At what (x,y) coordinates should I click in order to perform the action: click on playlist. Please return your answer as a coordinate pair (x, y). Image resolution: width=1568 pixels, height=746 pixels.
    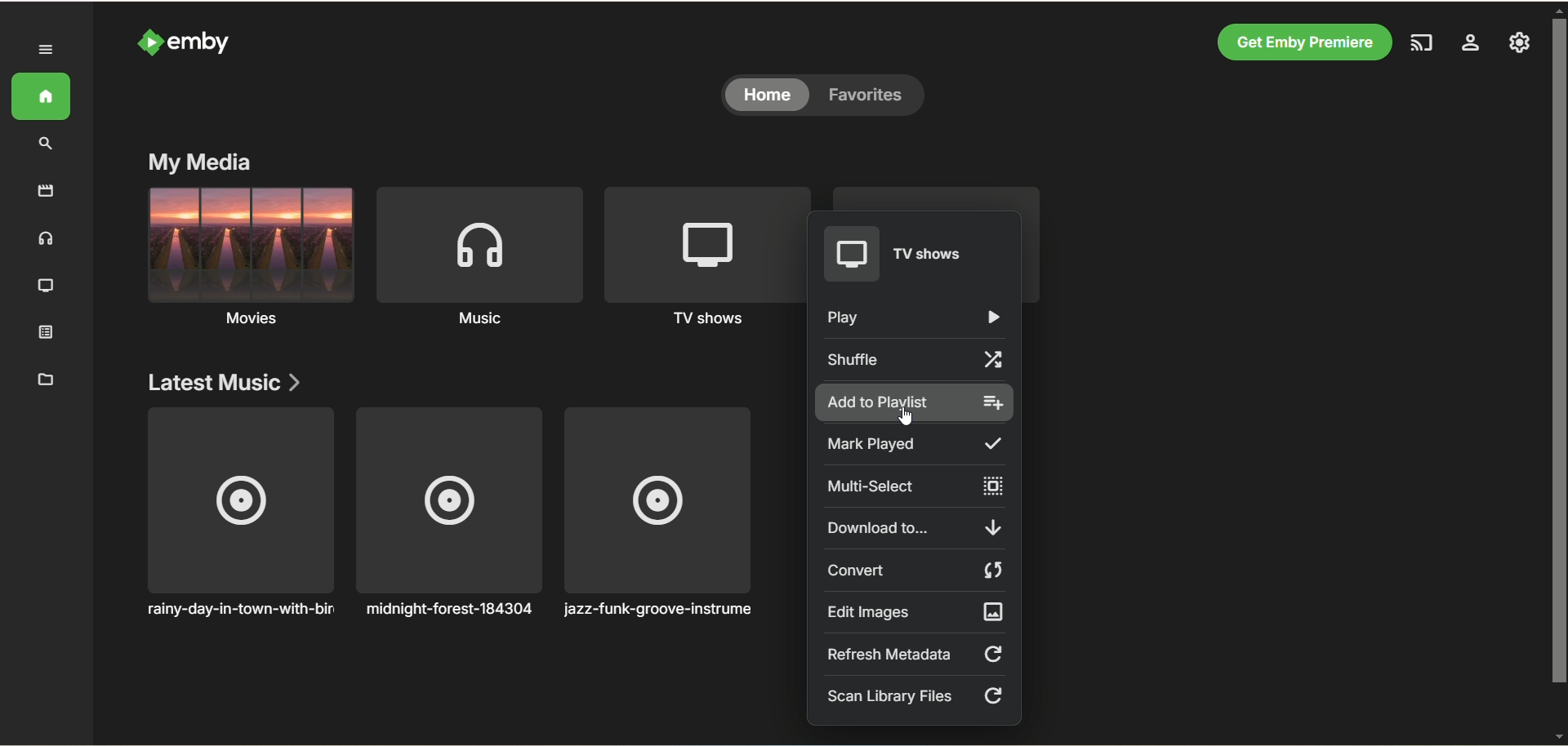
    Looking at the image, I should click on (51, 334).